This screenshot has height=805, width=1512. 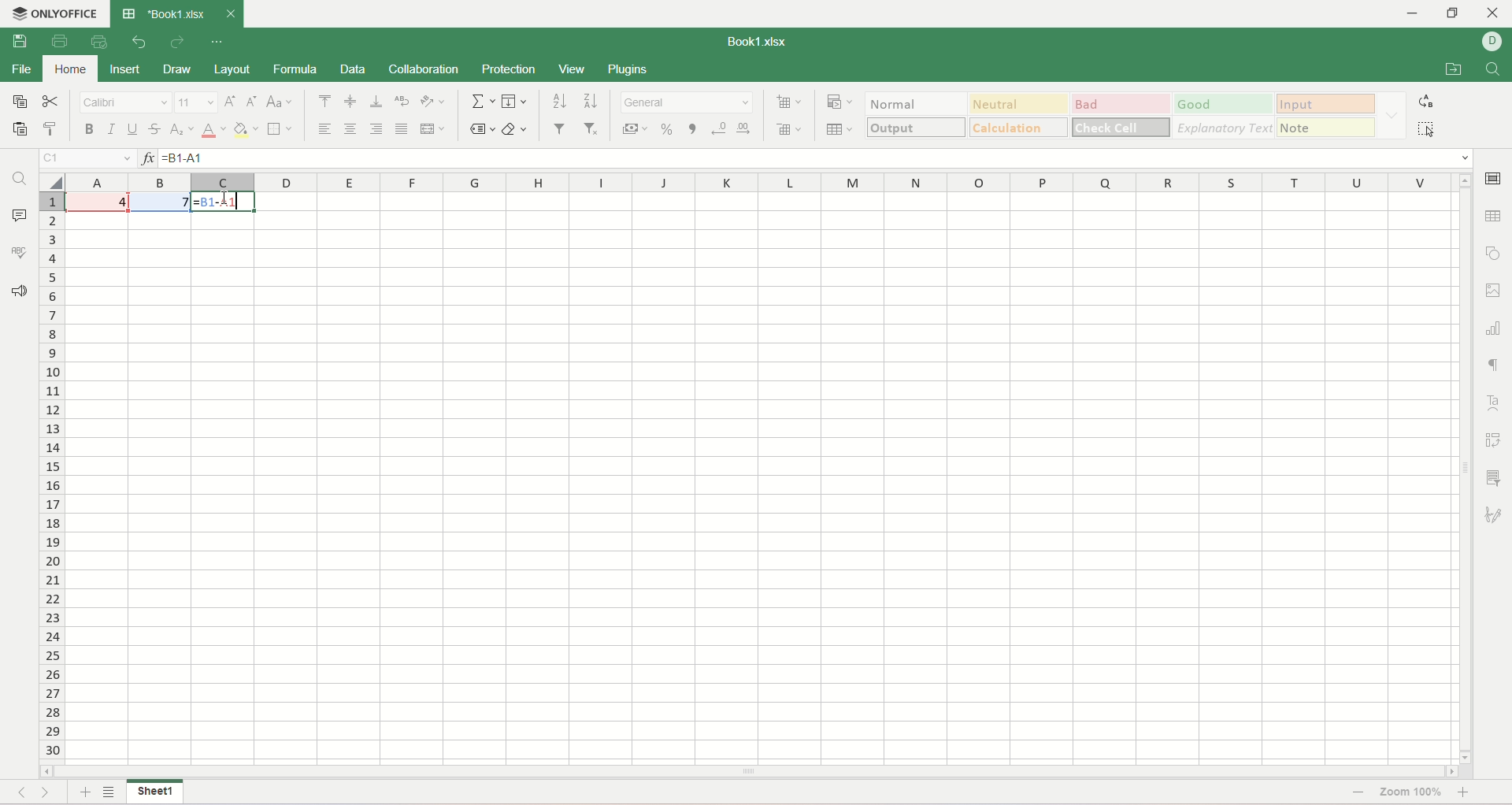 What do you see at coordinates (278, 102) in the screenshot?
I see `change case` at bounding box center [278, 102].